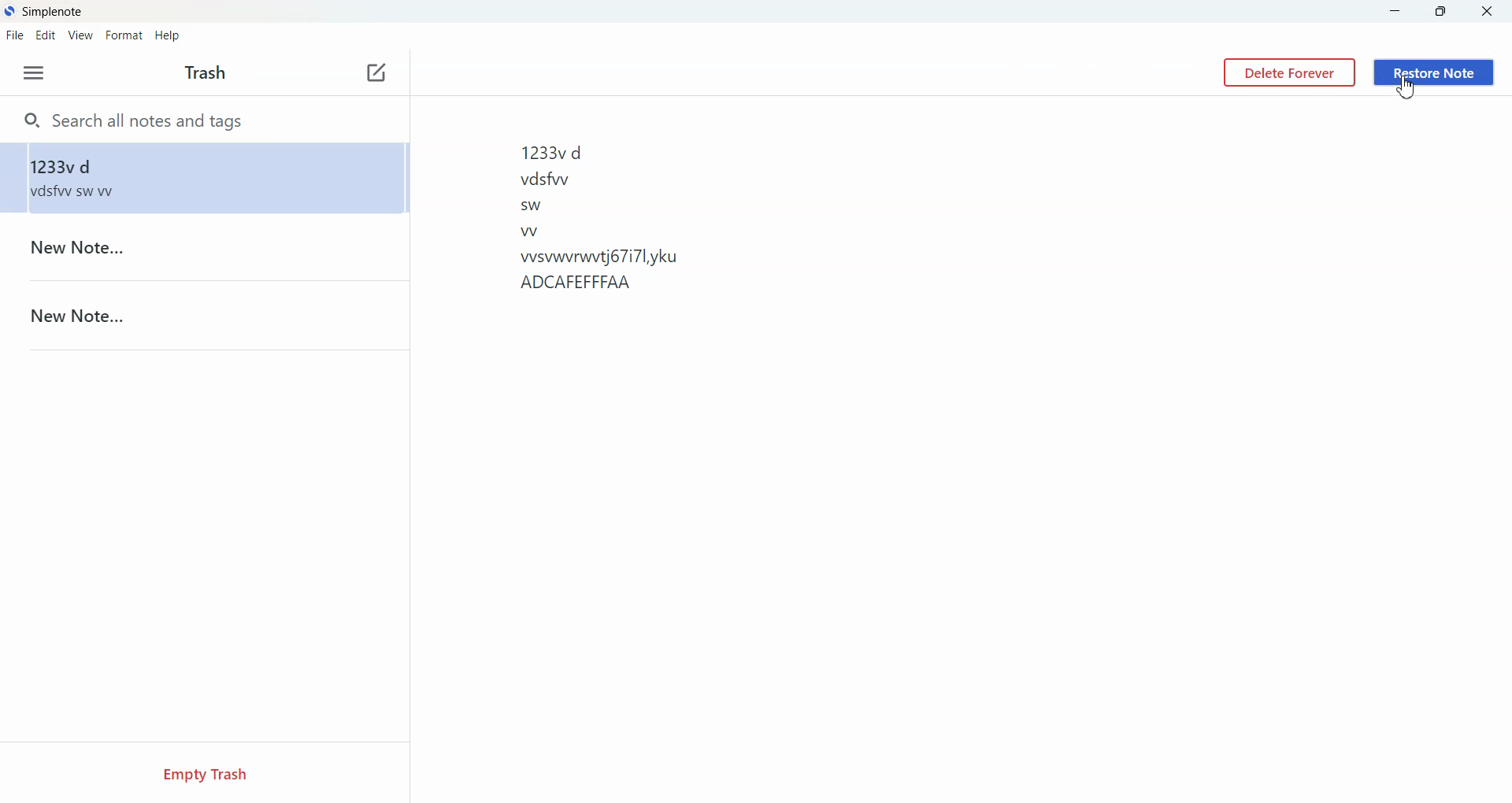 Image resolution: width=1512 pixels, height=803 pixels. What do you see at coordinates (1289, 72) in the screenshot?
I see `Delete Forever` at bounding box center [1289, 72].